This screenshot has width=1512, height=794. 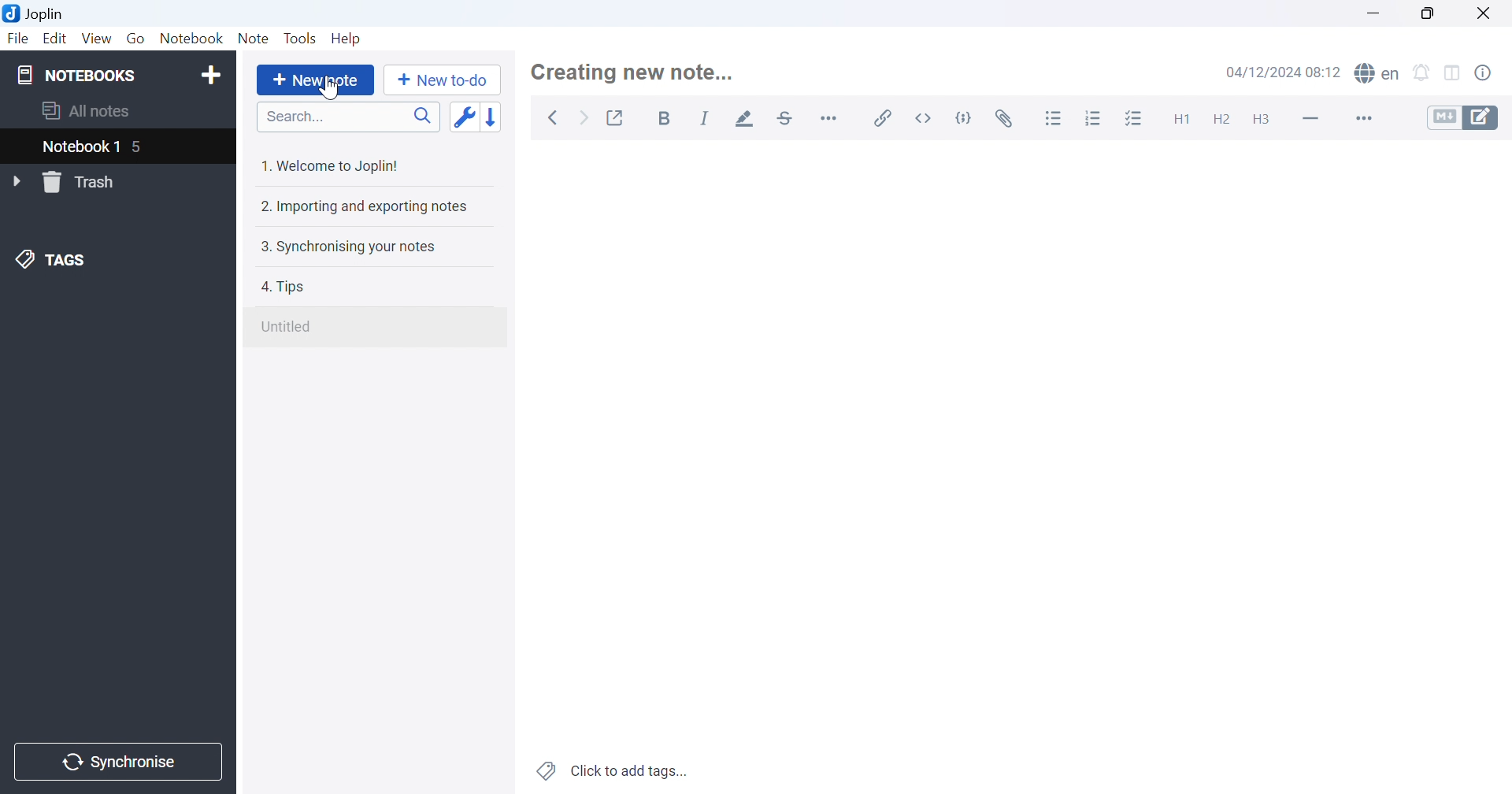 What do you see at coordinates (442, 82) in the screenshot?
I see `New to-do` at bounding box center [442, 82].